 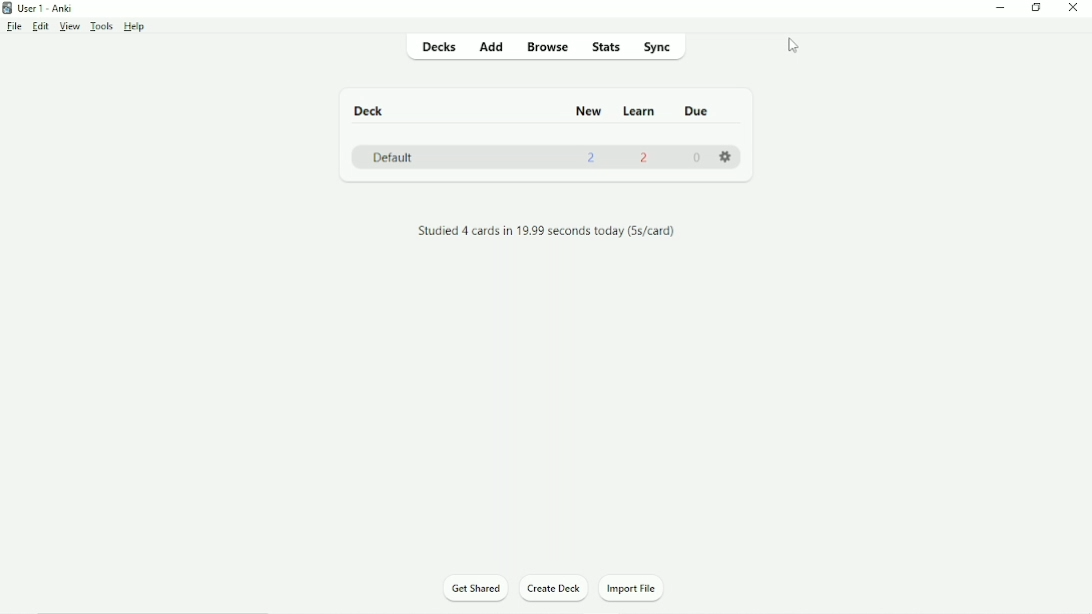 I want to click on 2, so click(x=592, y=160).